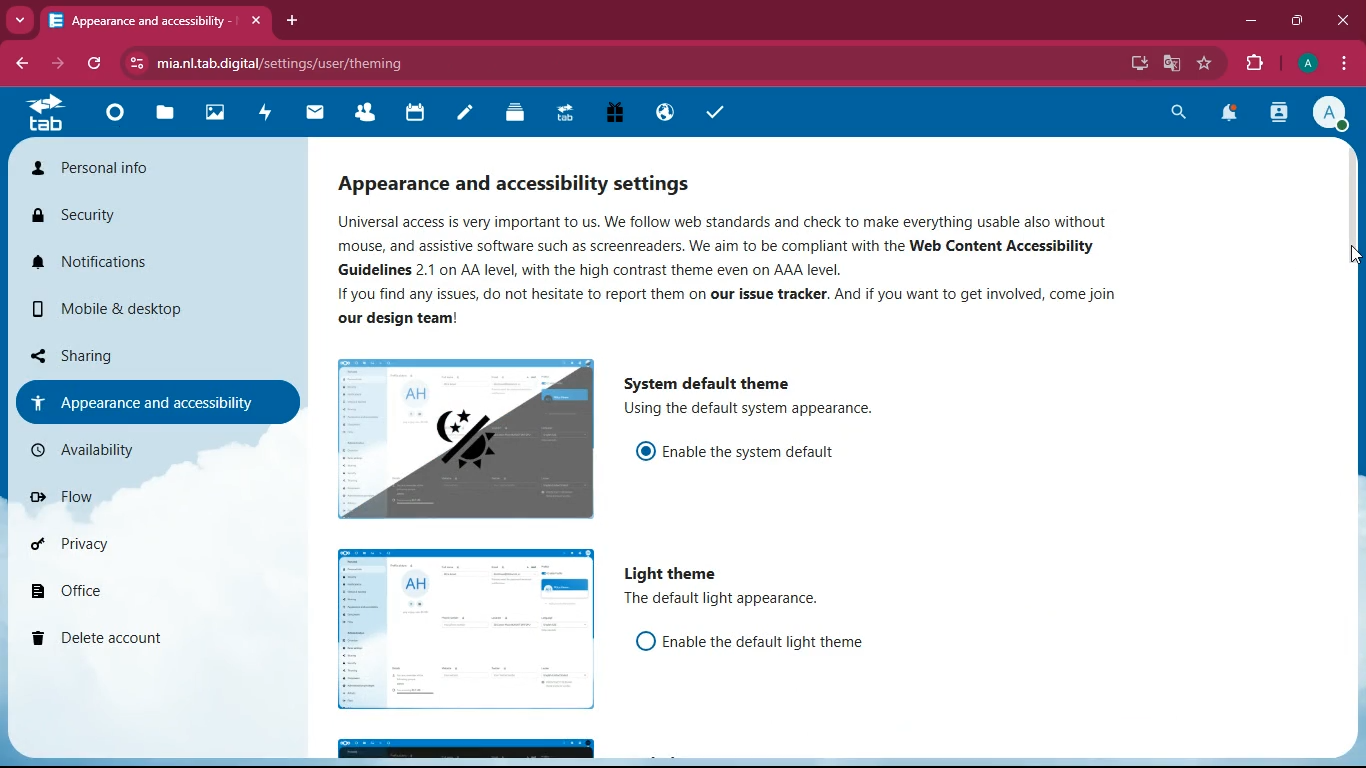 The height and width of the screenshot is (768, 1366). What do you see at coordinates (118, 117) in the screenshot?
I see `home` at bounding box center [118, 117].